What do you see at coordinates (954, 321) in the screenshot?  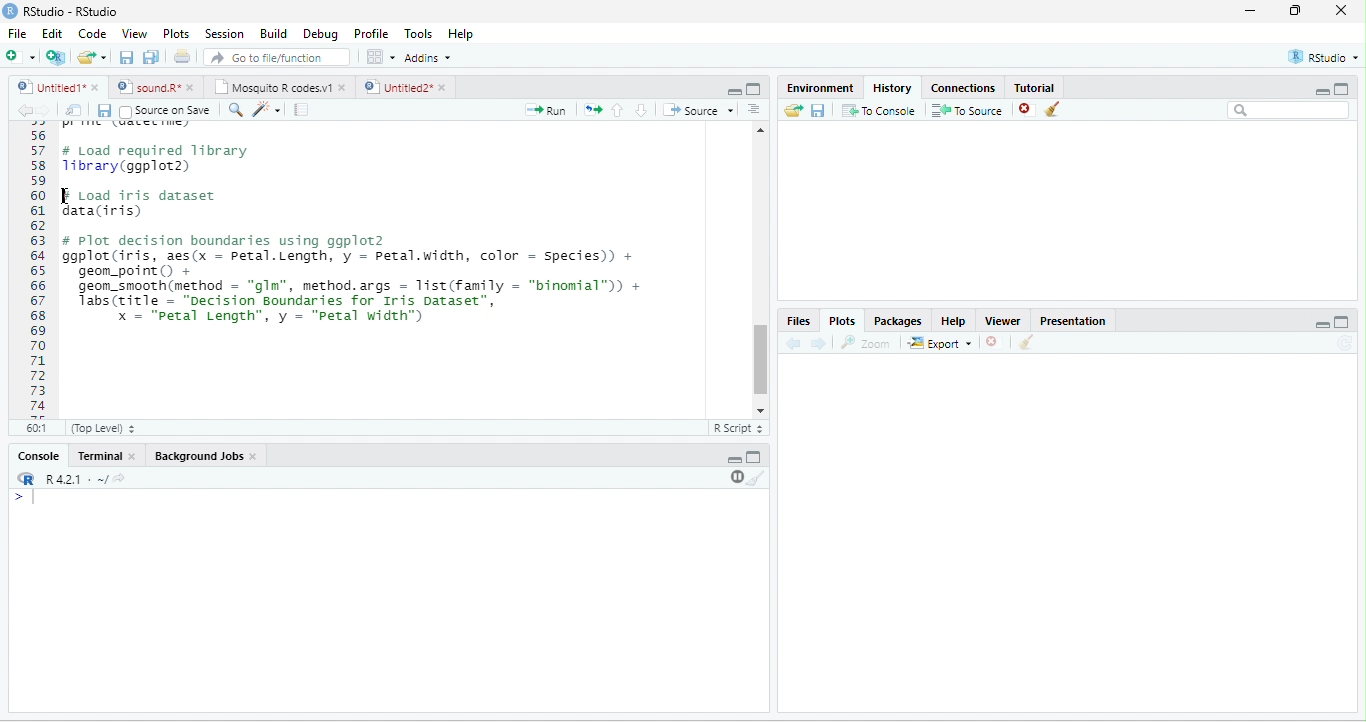 I see `Help` at bounding box center [954, 321].